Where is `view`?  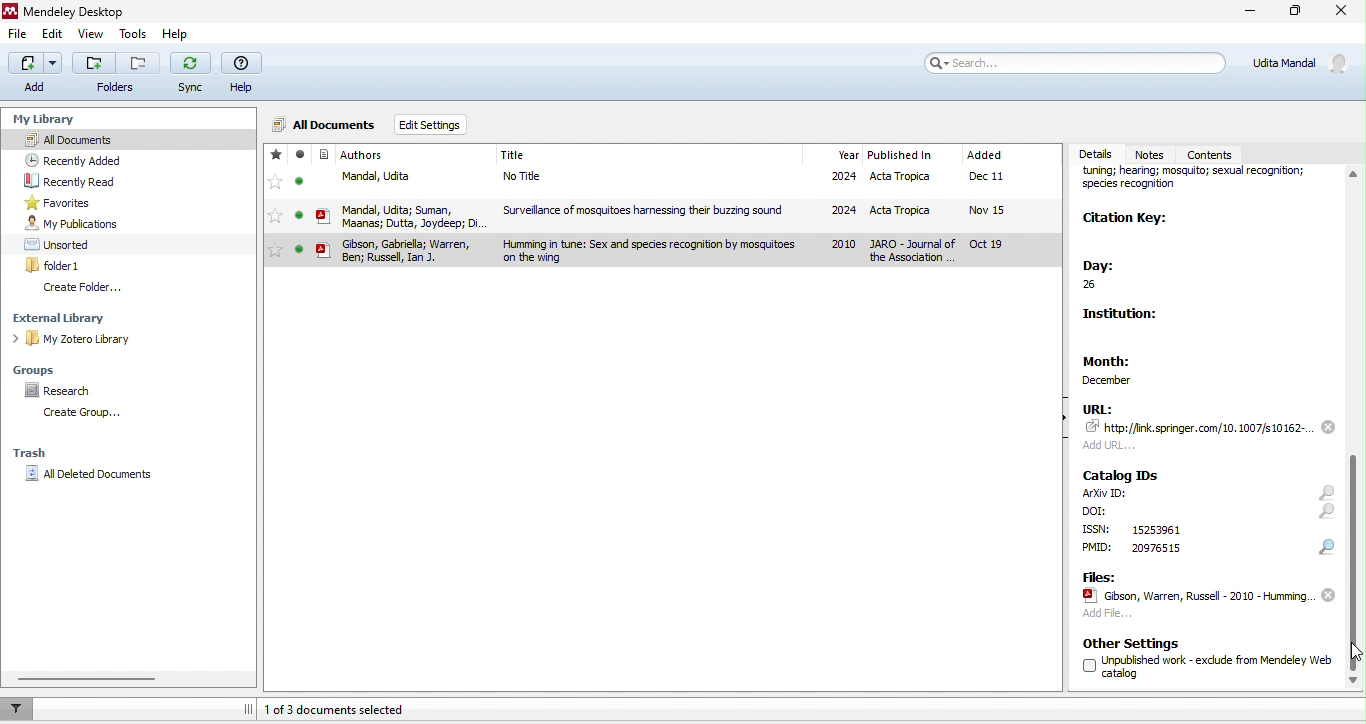 view is located at coordinates (91, 36).